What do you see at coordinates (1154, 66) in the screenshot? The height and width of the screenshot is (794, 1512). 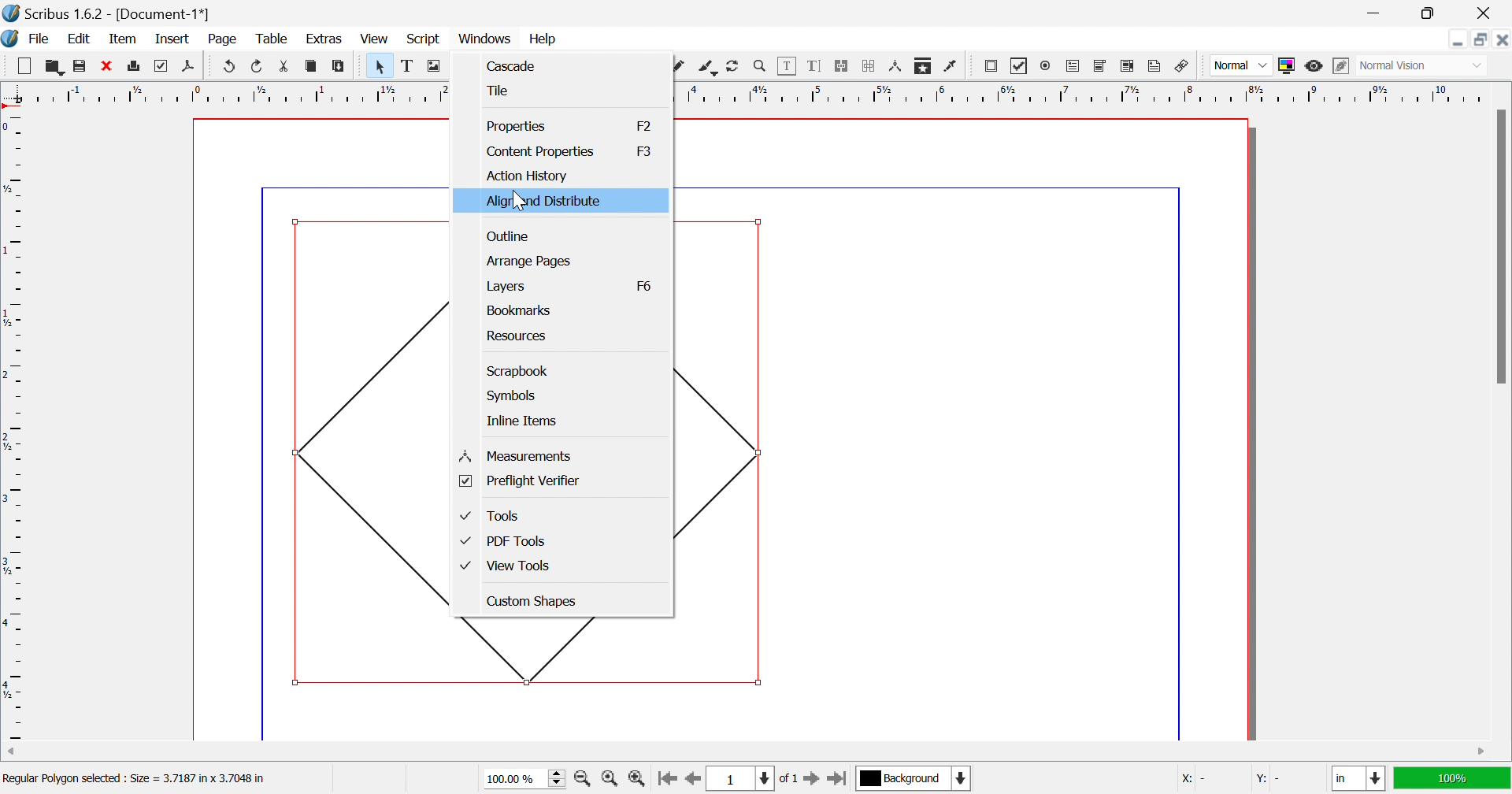 I see `Text annotation` at bounding box center [1154, 66].